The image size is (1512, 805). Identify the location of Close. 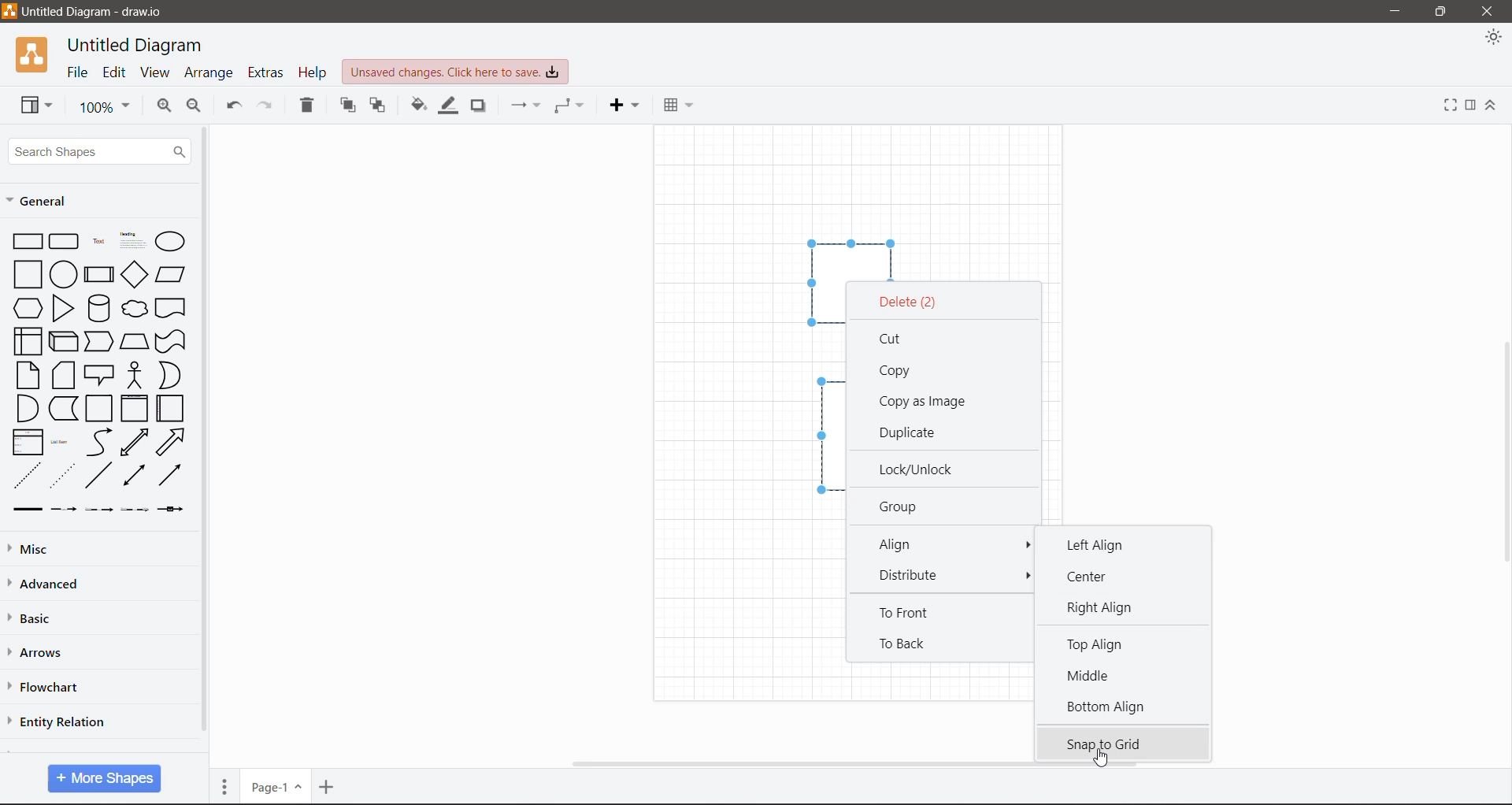
(1490, 12).